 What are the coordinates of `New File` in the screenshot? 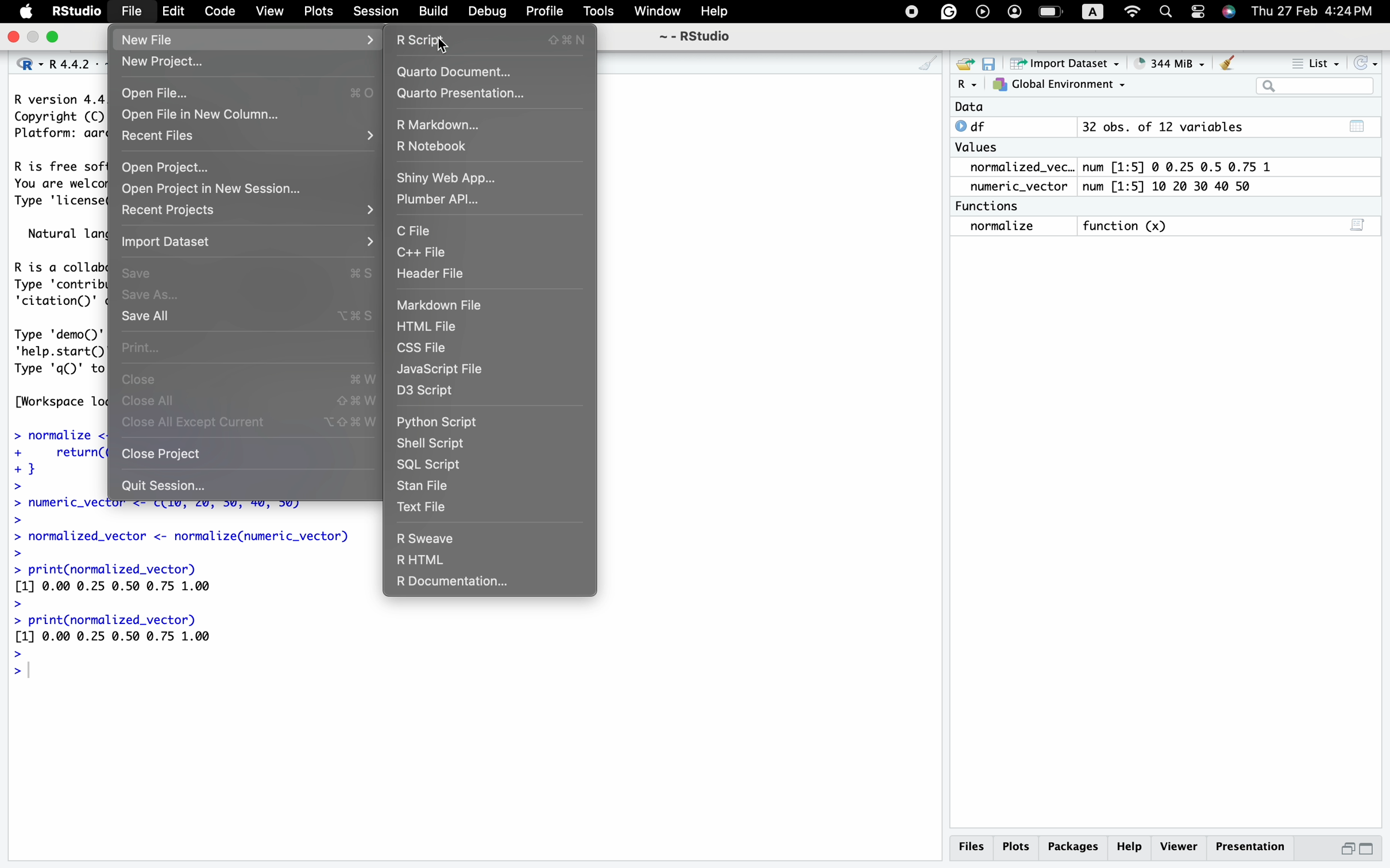 It's located at (145, 38).